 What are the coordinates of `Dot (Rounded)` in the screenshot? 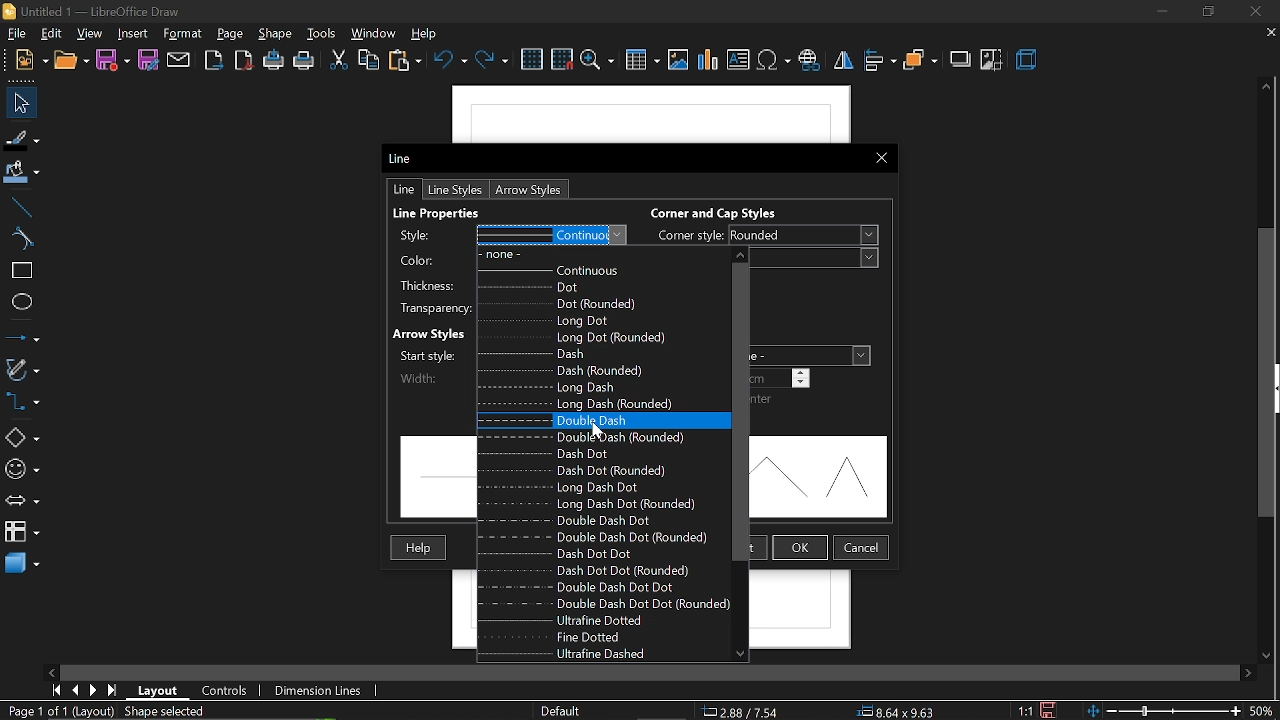 It's located at (598, 303).